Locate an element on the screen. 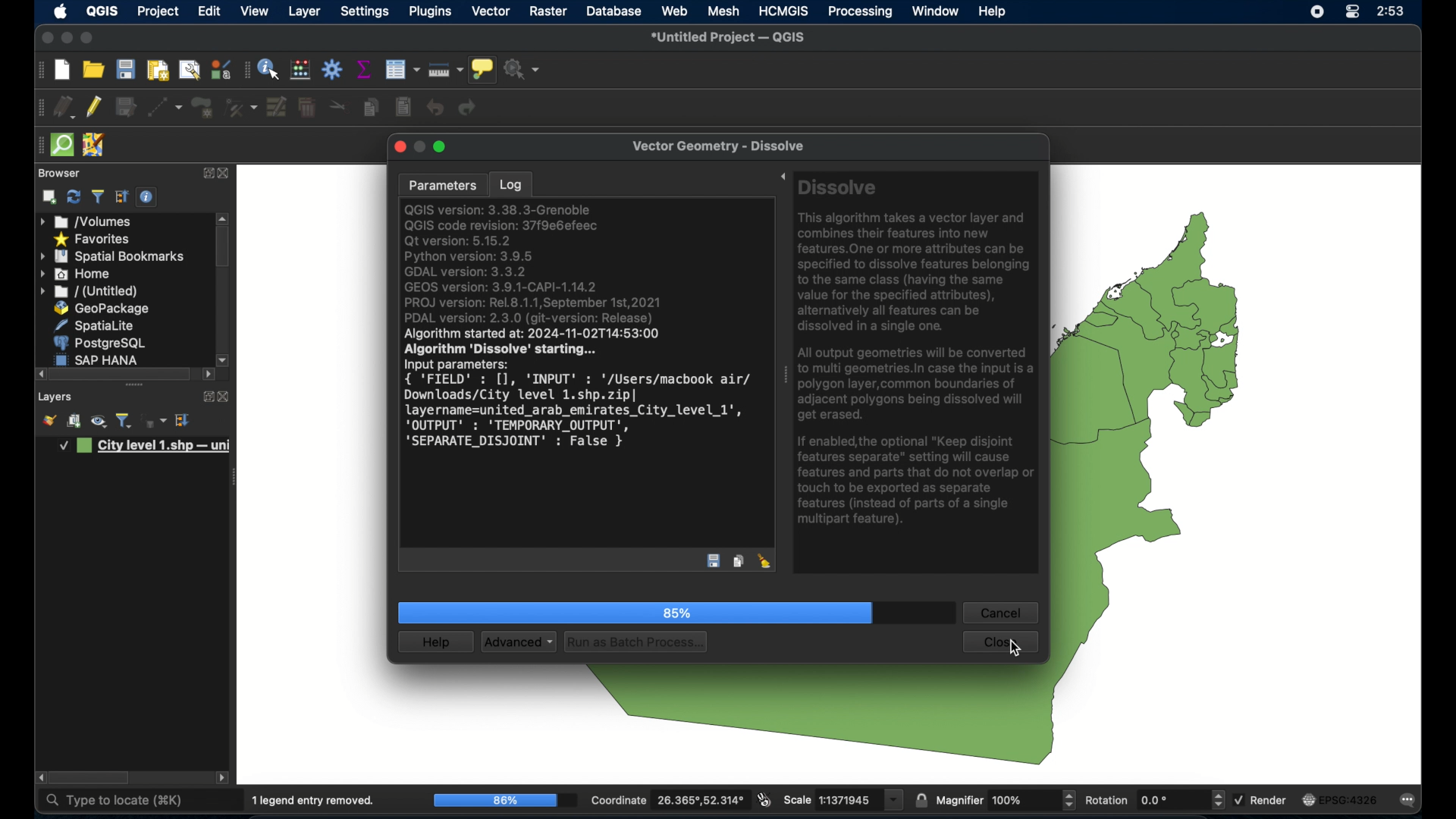 This screenshot has height=819, width=1456. identify feature is located at coordinates (270, 70).